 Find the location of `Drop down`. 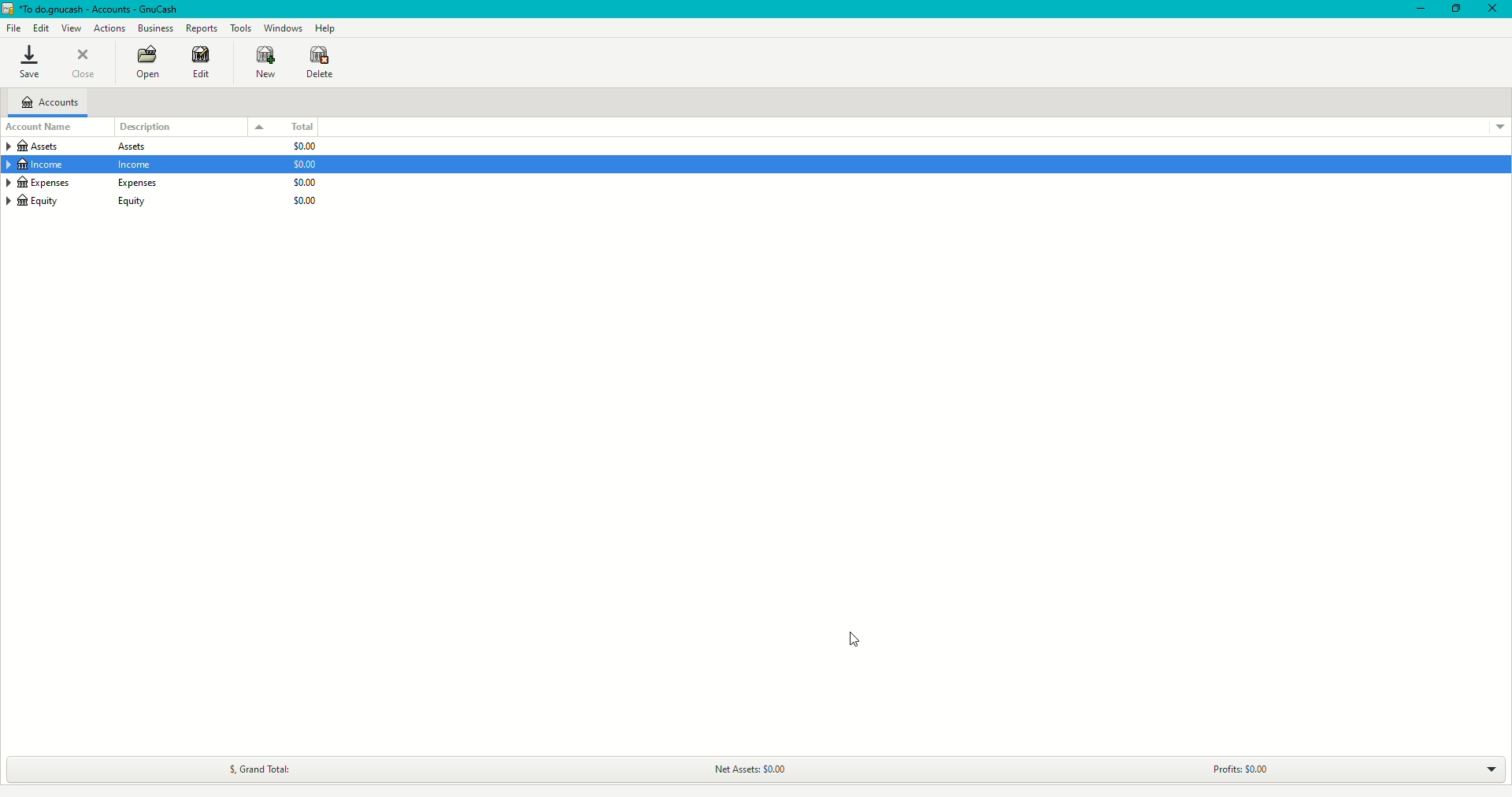

Drop down is located at coordinates (1495, 126).